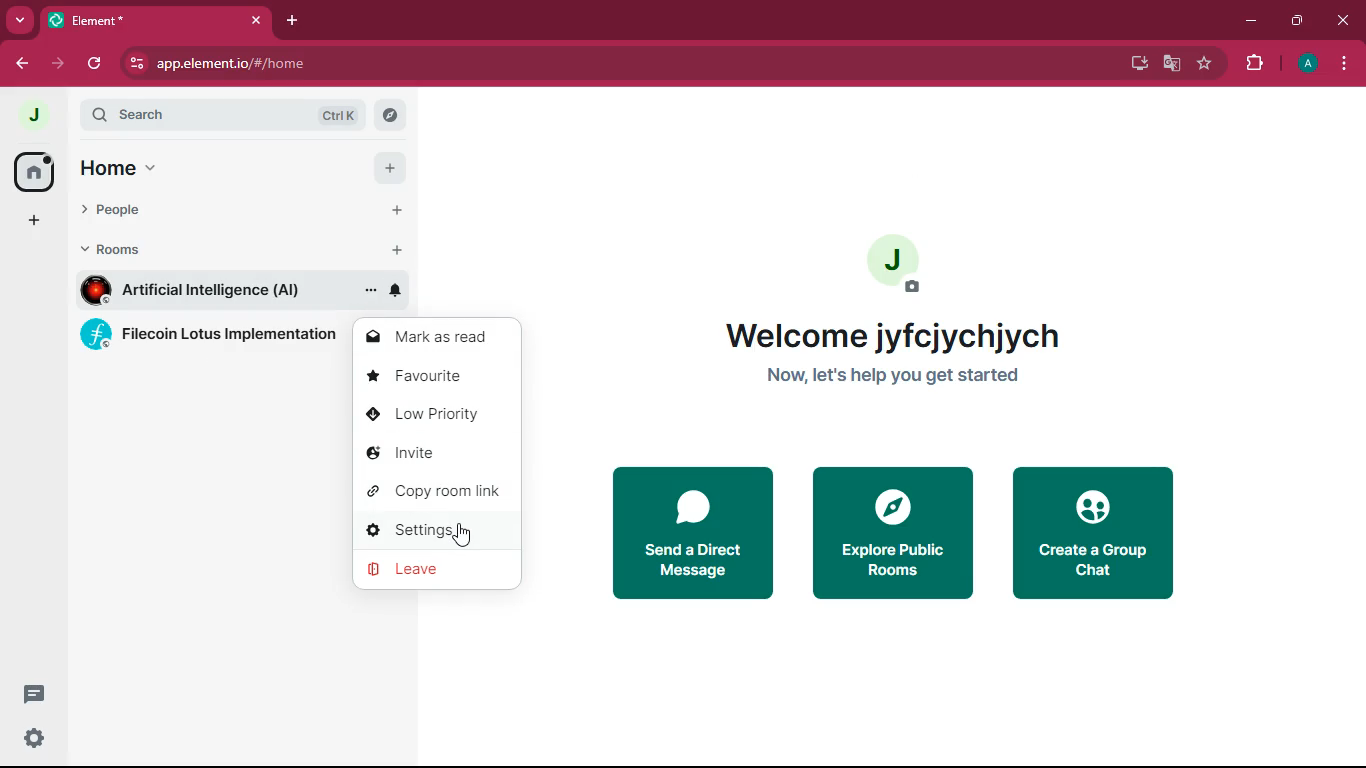  What do you see at coordinates (209, 336) in the screenshot?
I see `rooms` at bounding box center [209, 336].